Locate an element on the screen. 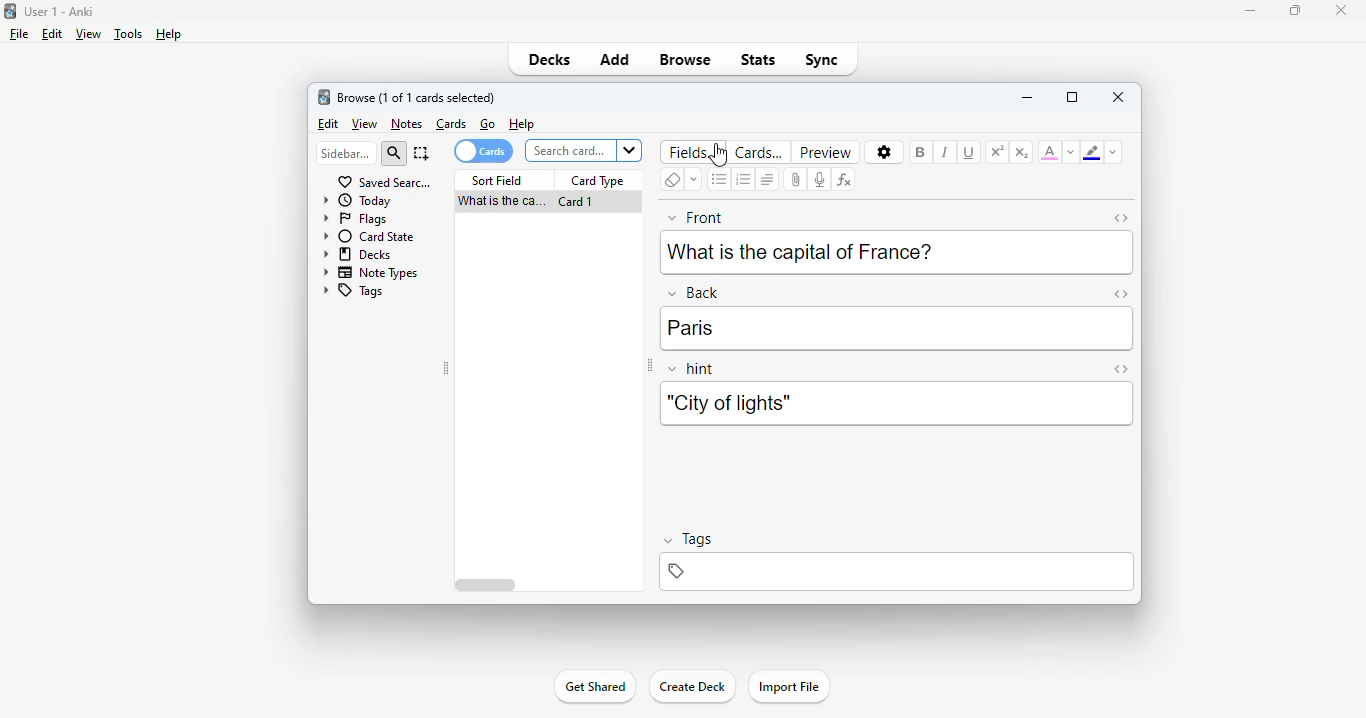 This screenshot has height=718, width=1366. today is located at coordinates (357, 200).